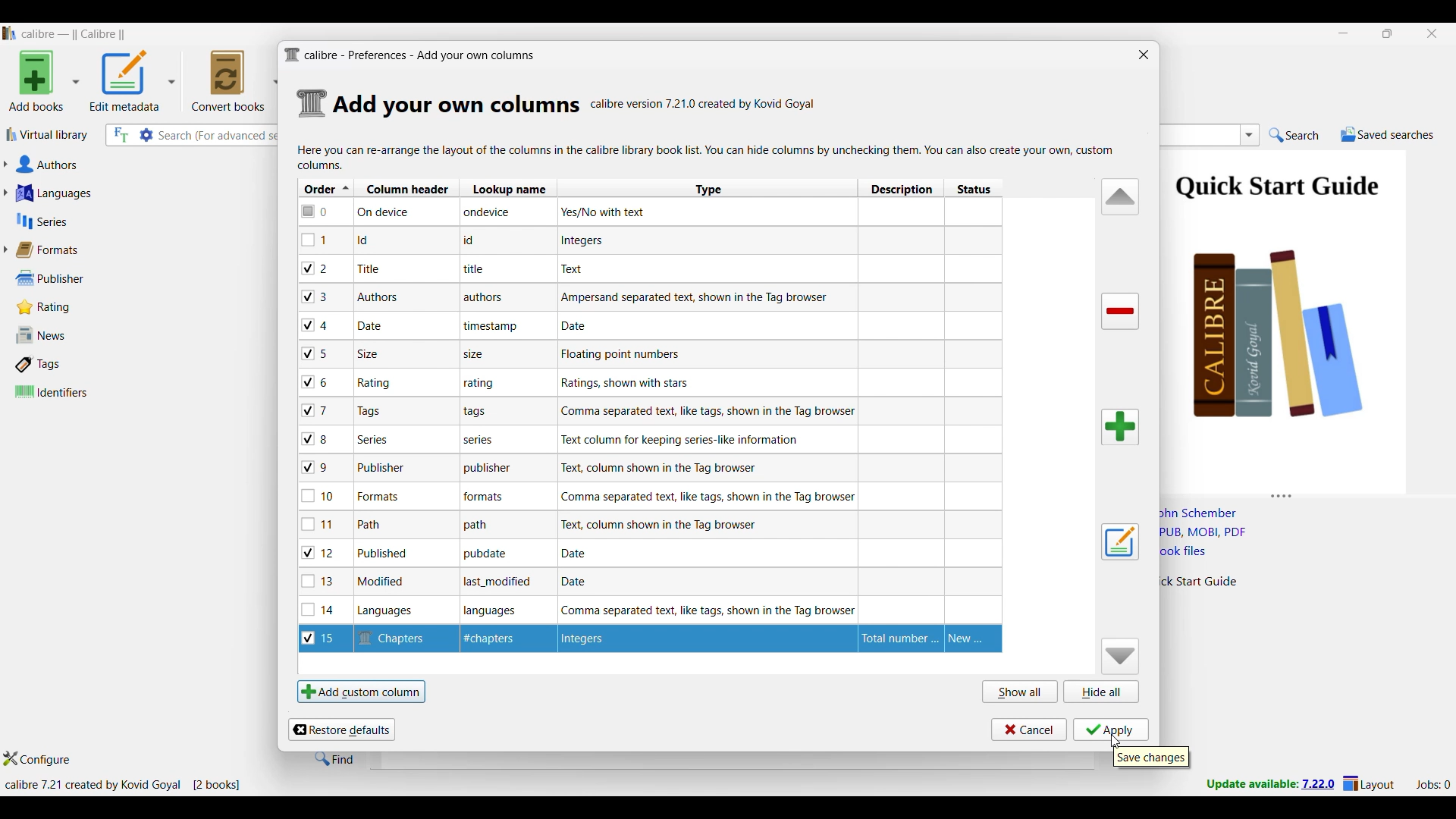 This screenshot has width=1456, height=819. I want to click on Cancel, so click(1029, 730).